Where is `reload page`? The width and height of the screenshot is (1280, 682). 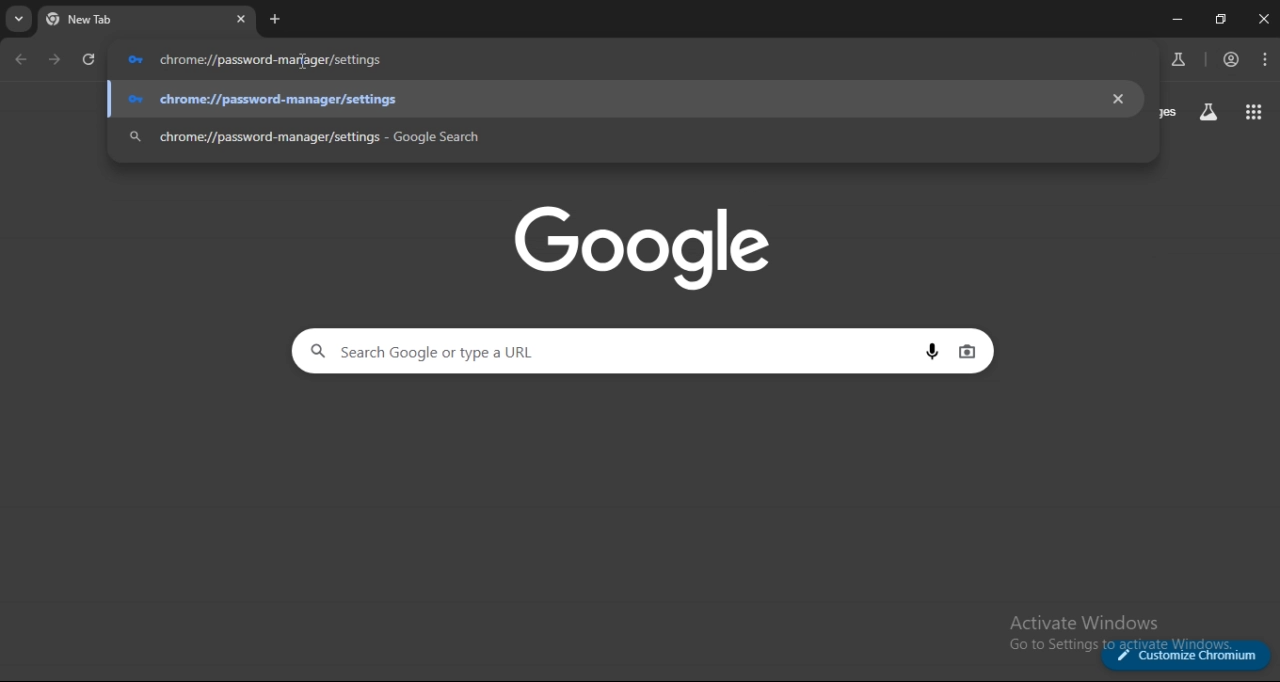 reload page is located at coordinates (90, 63).